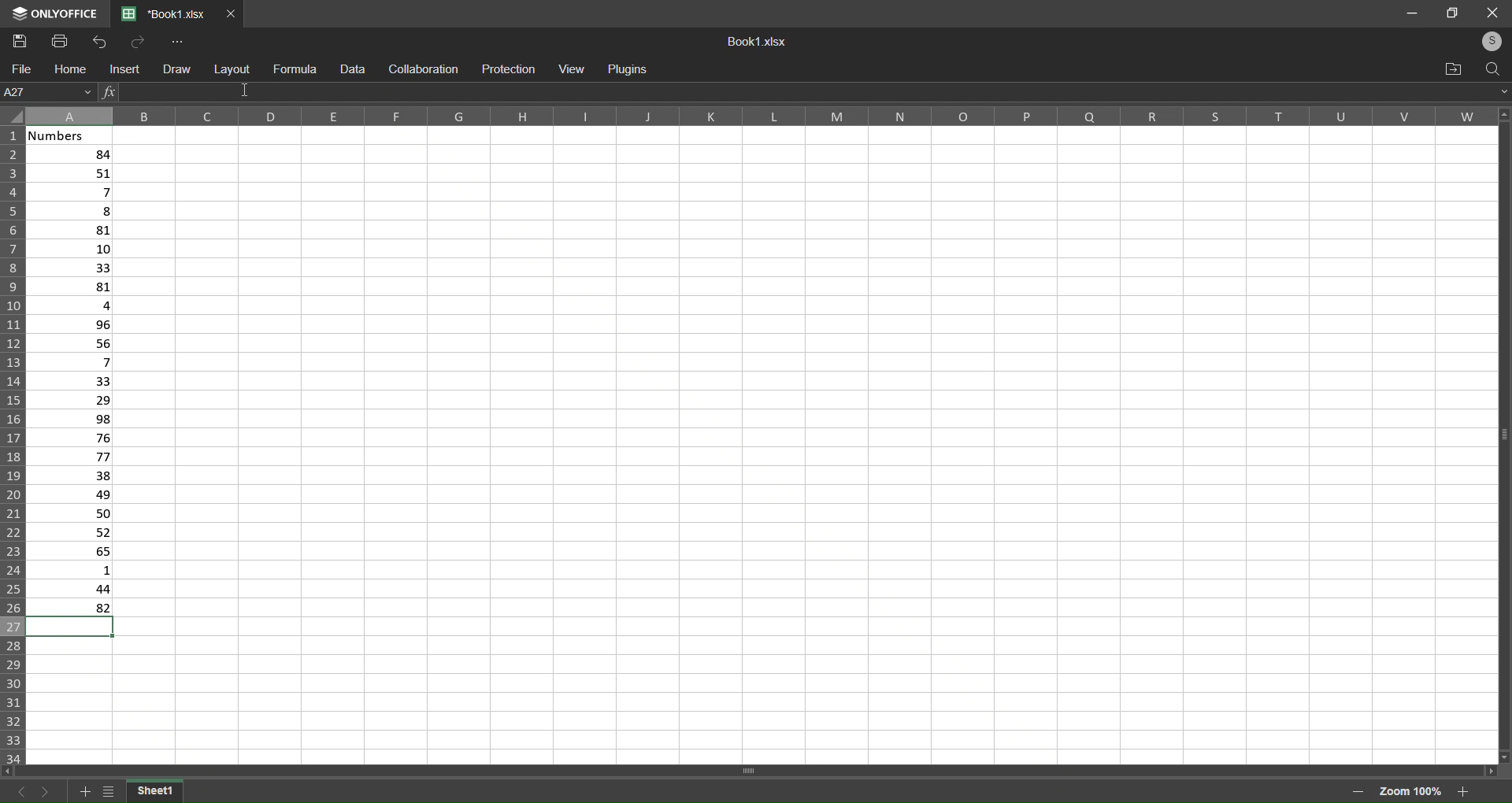 The width and height of the screenshot is (1512, 803). I want to click on Logo, so click(56, 14).